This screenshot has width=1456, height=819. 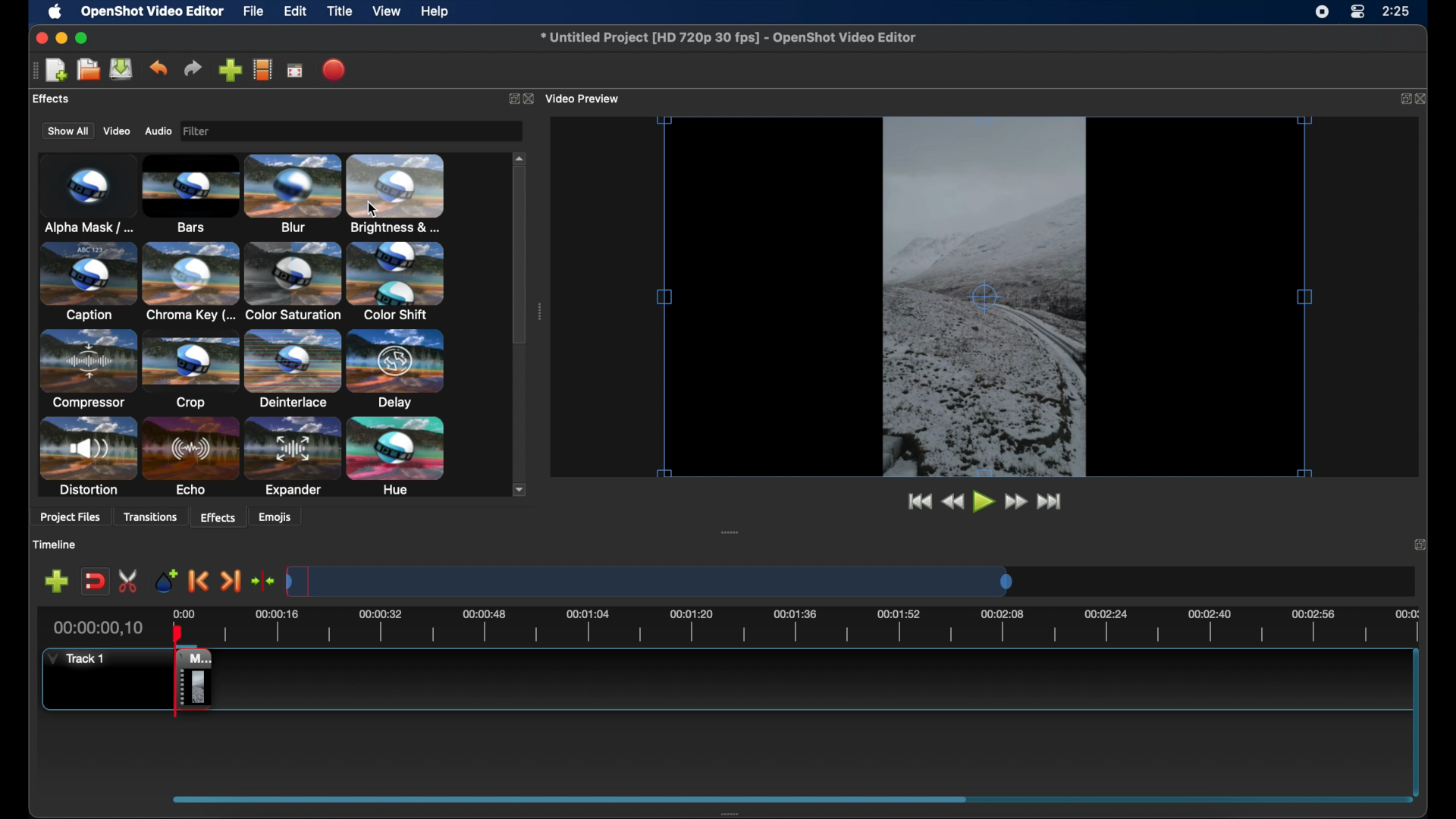 What do you see at coordinates (519, 156) in the screenshot?
I see `scroll up arrow` at bounding box center [519, 156].